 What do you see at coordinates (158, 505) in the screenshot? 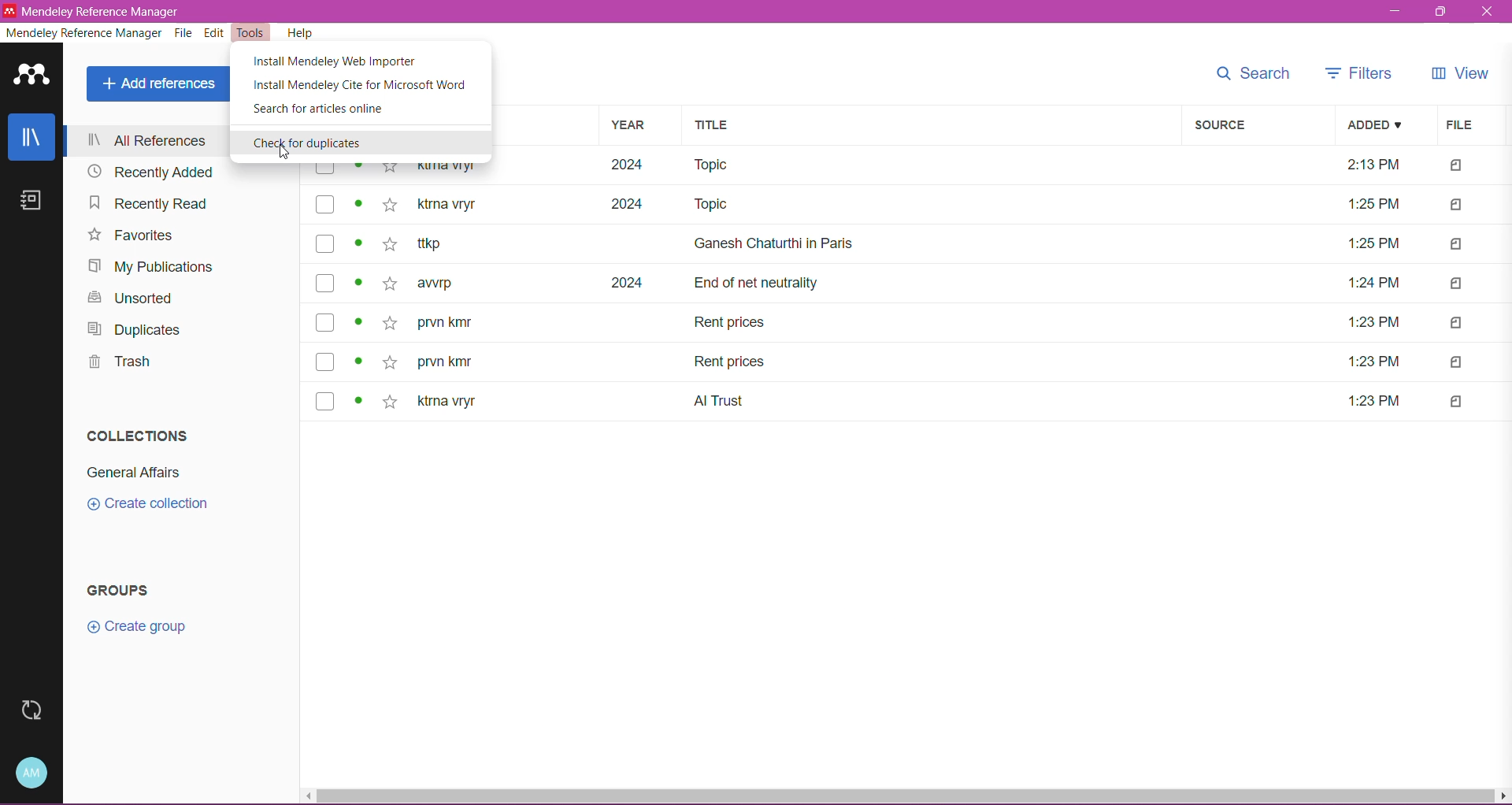
I see `Click to Create New Collection` at bounding box center [158, 505].